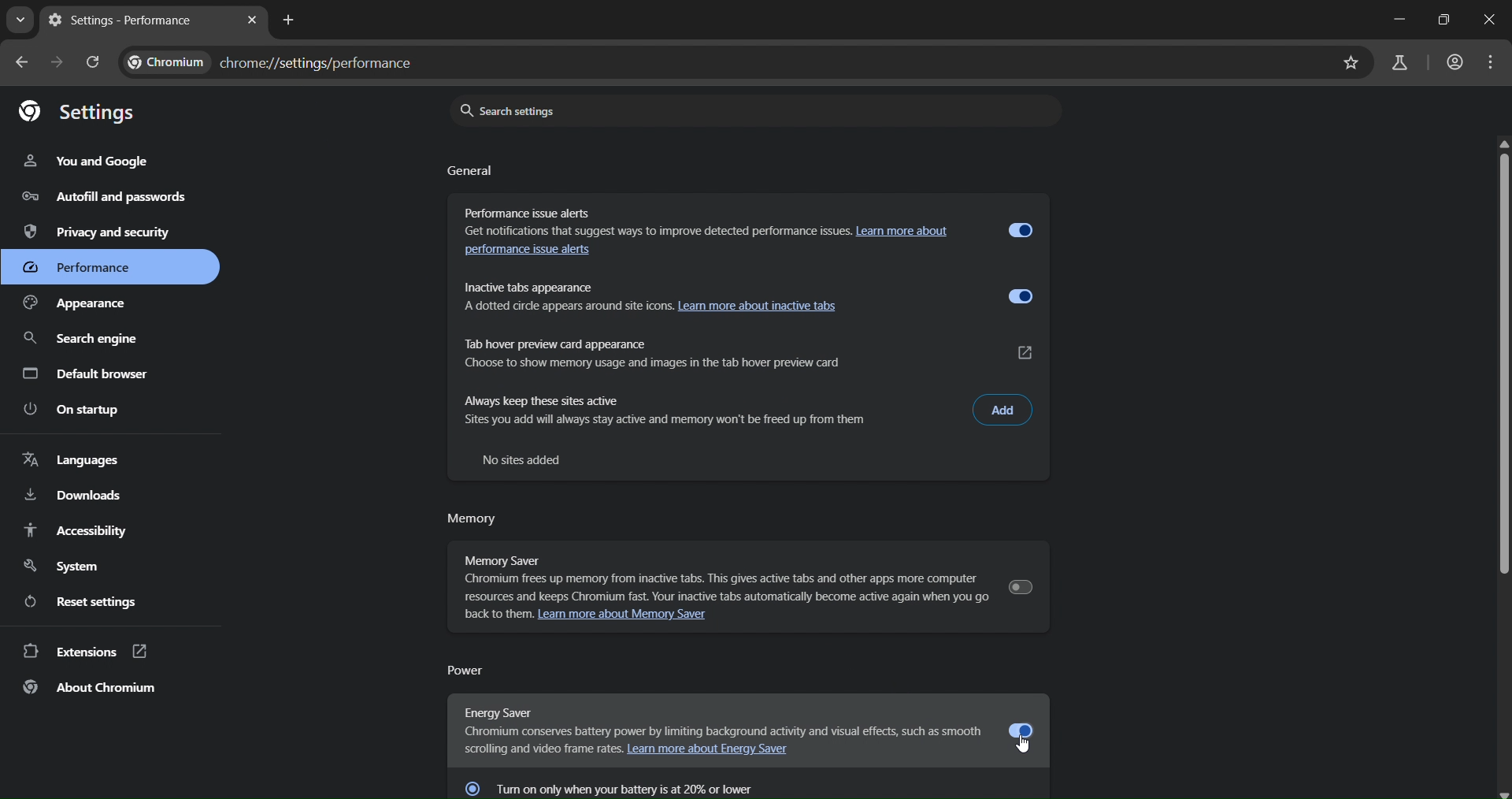  I want to click on add, so click(1003, 409).